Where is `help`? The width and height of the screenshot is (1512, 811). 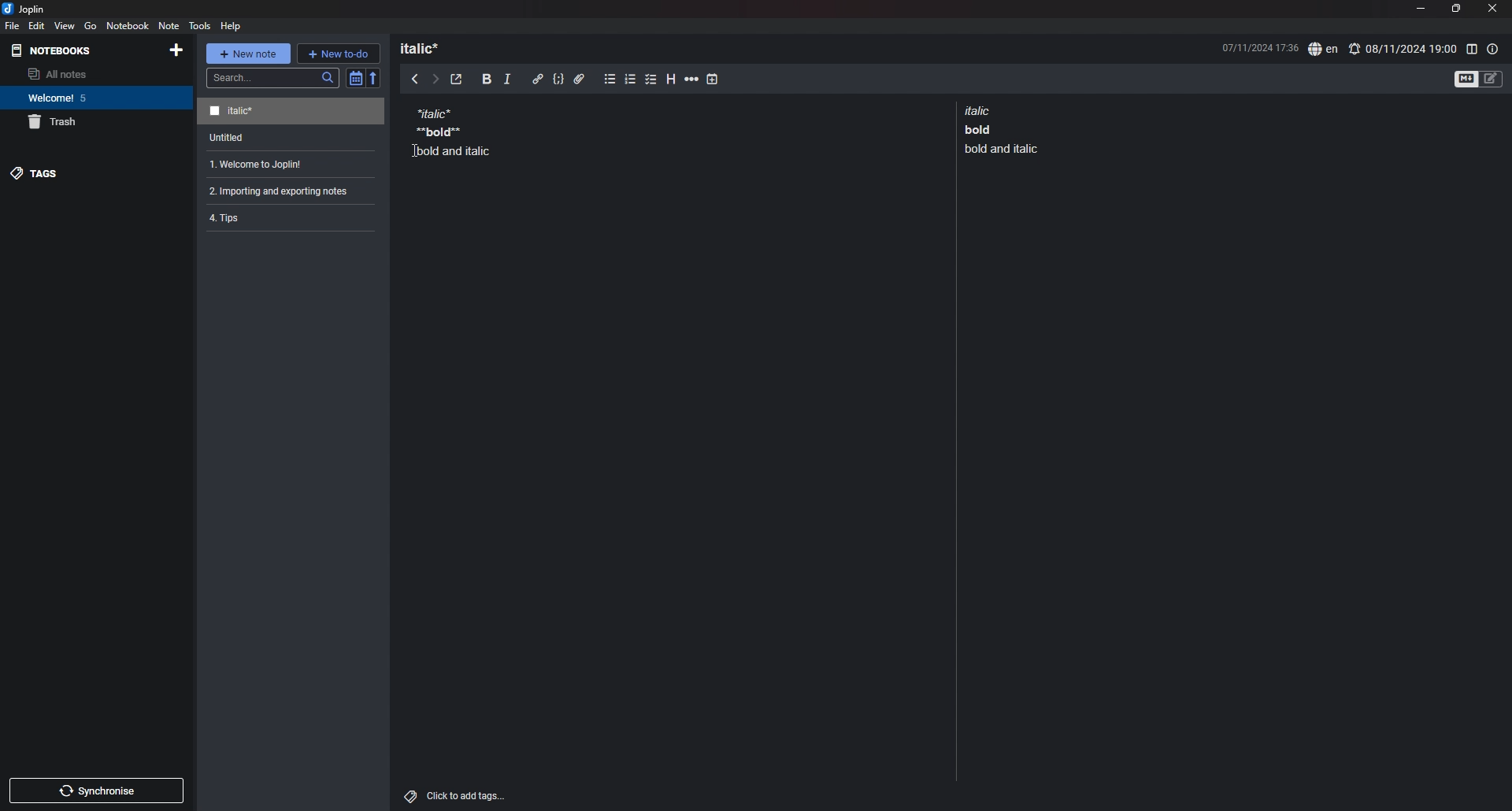
help is located at coordinates (232, 25).